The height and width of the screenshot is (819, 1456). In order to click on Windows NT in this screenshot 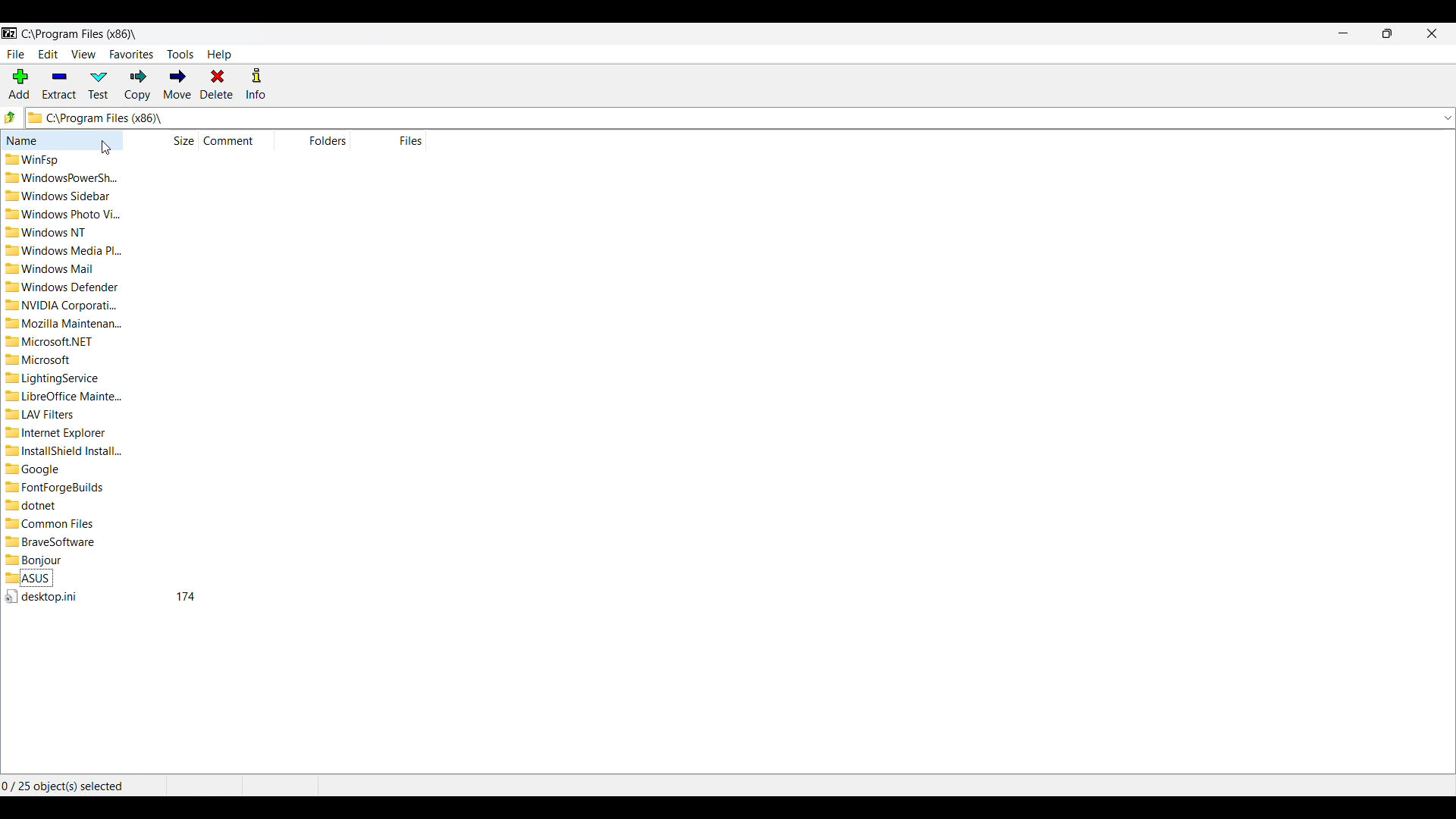, I will do `click(54, 233)`.